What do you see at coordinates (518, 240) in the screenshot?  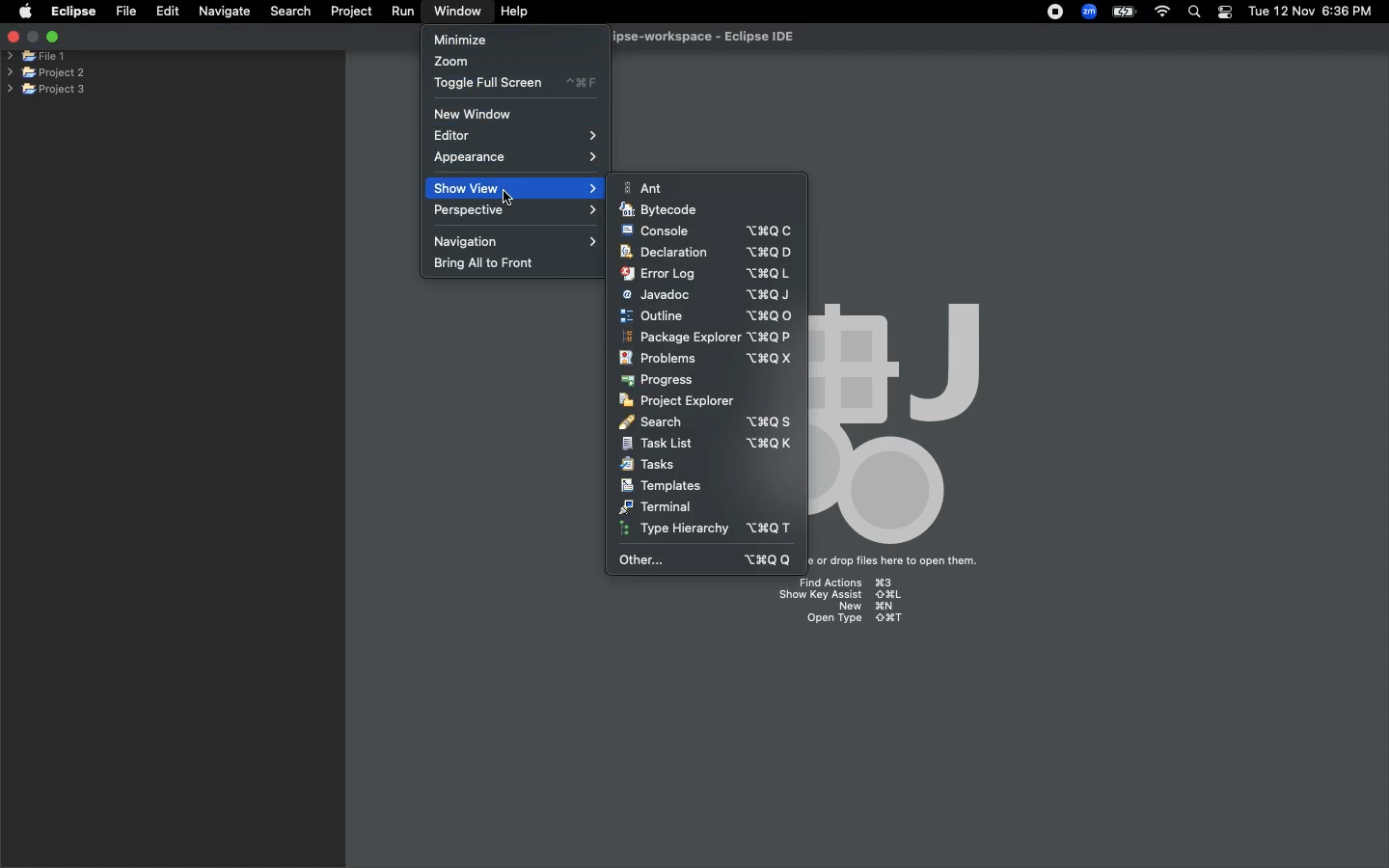 I see `Navigation` at bounding box center [518, 240].